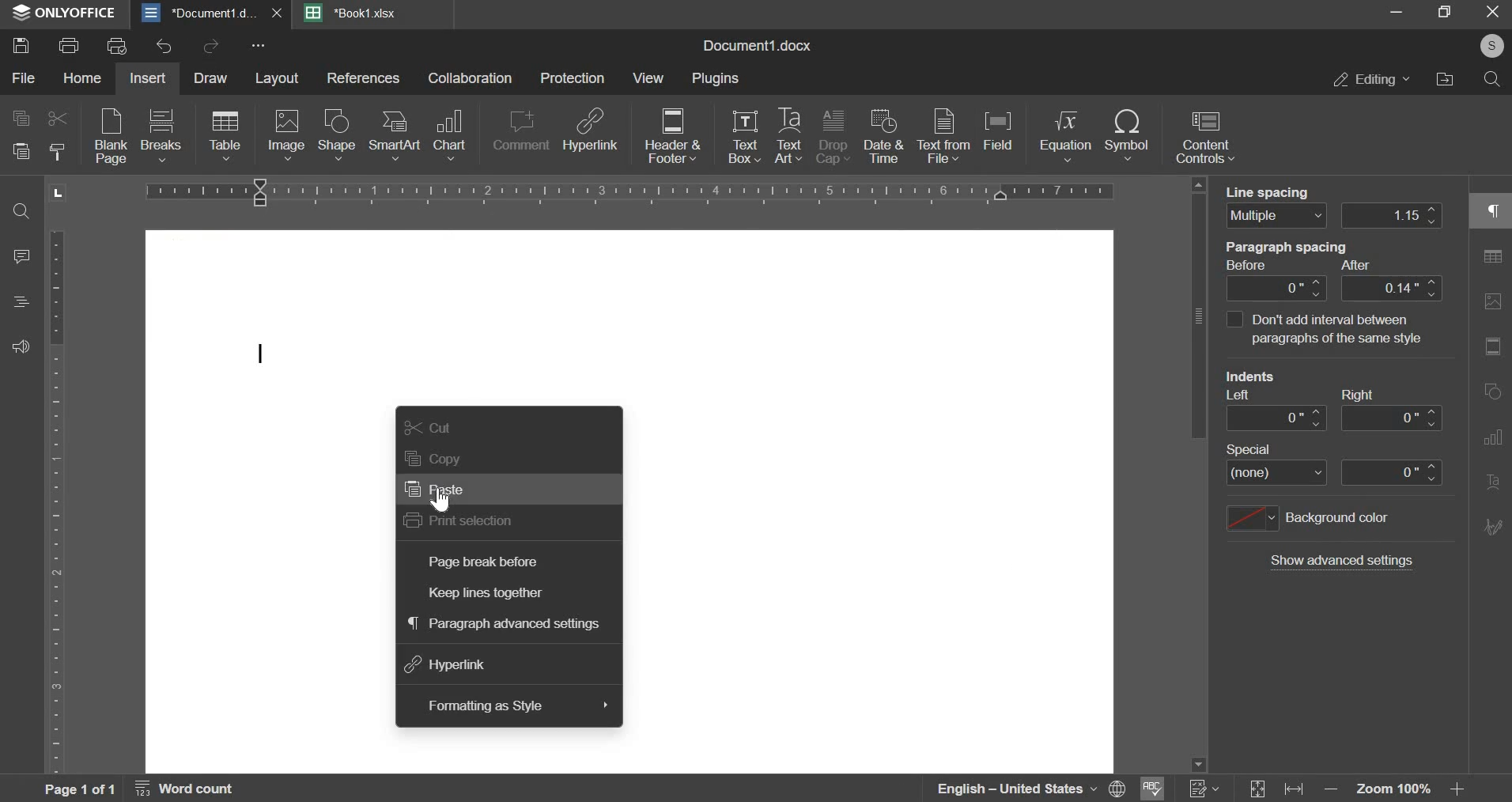 This screenshot has height=802, width=1512. Describe the element at coordinates (1308, 256) in the screenshot. I see `Paragraph spacing label` at that location.